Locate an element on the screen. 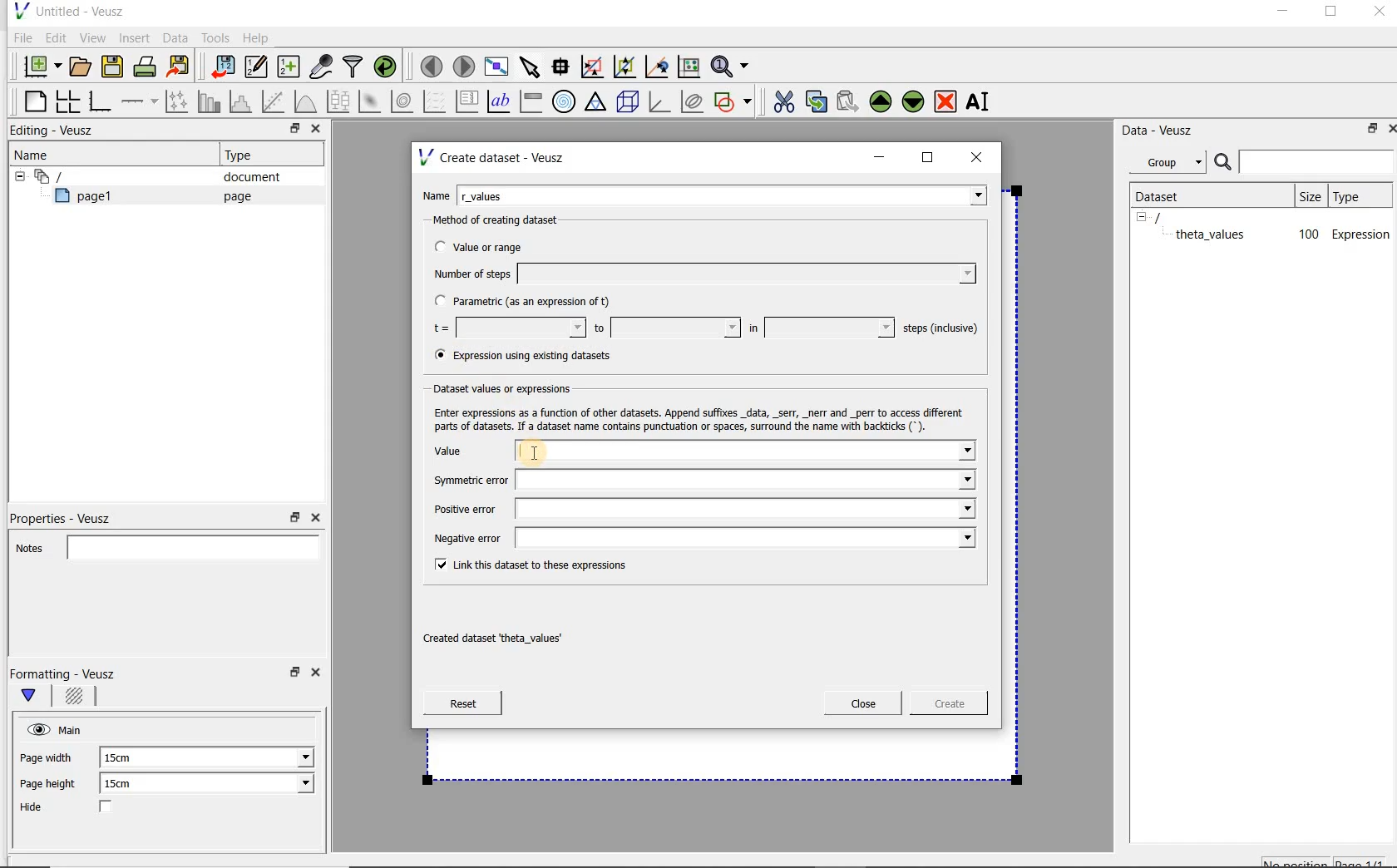 This screenshot has width=1397, height=868. Edit and enter new datasets is located at coordinates (257, 67).